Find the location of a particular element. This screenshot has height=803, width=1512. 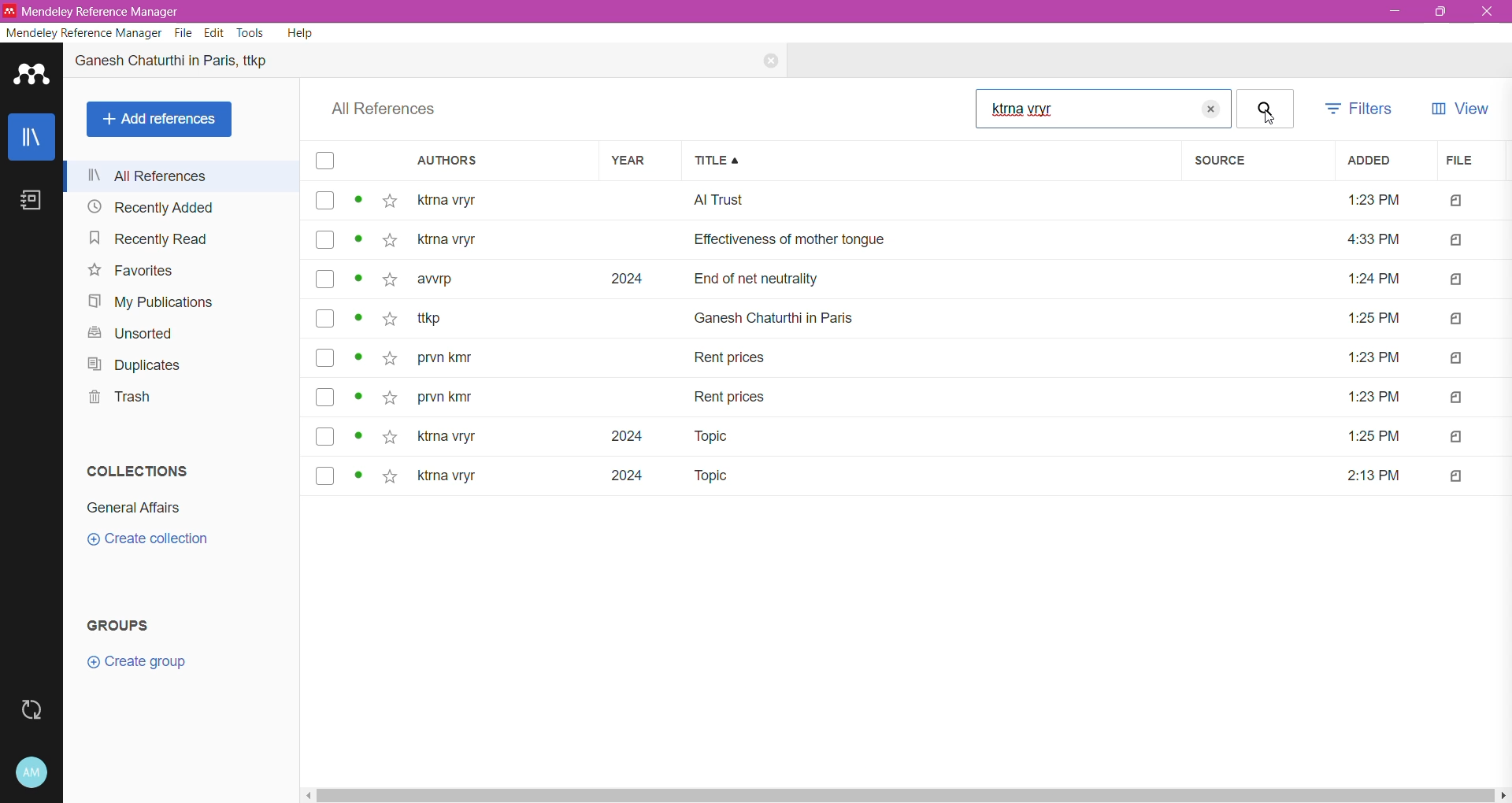

Source is located at coordinates (1251, 161).